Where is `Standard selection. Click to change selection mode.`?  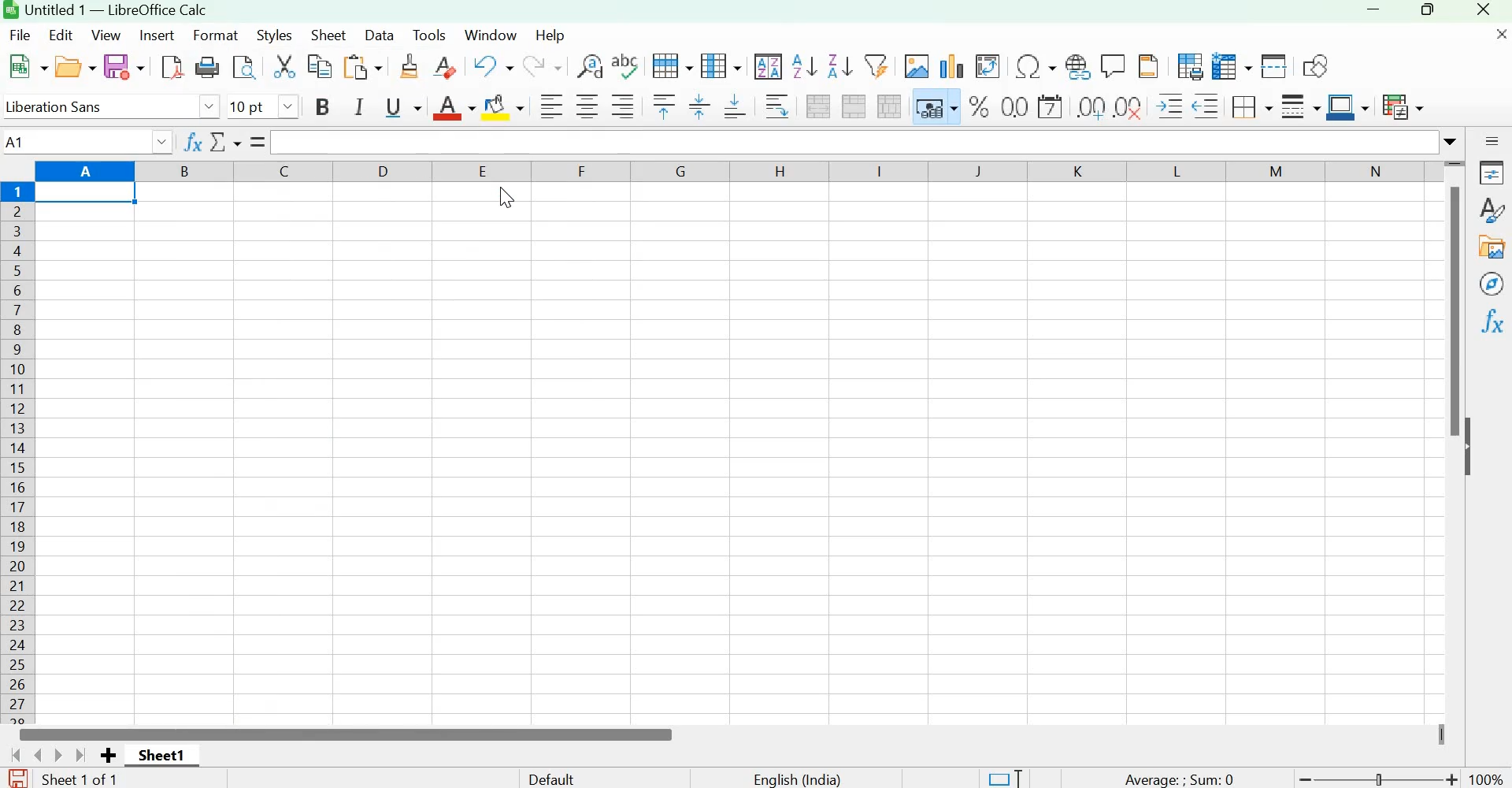
Standard selection. Click to change selection mode. is located at coordinates (1004, 777).